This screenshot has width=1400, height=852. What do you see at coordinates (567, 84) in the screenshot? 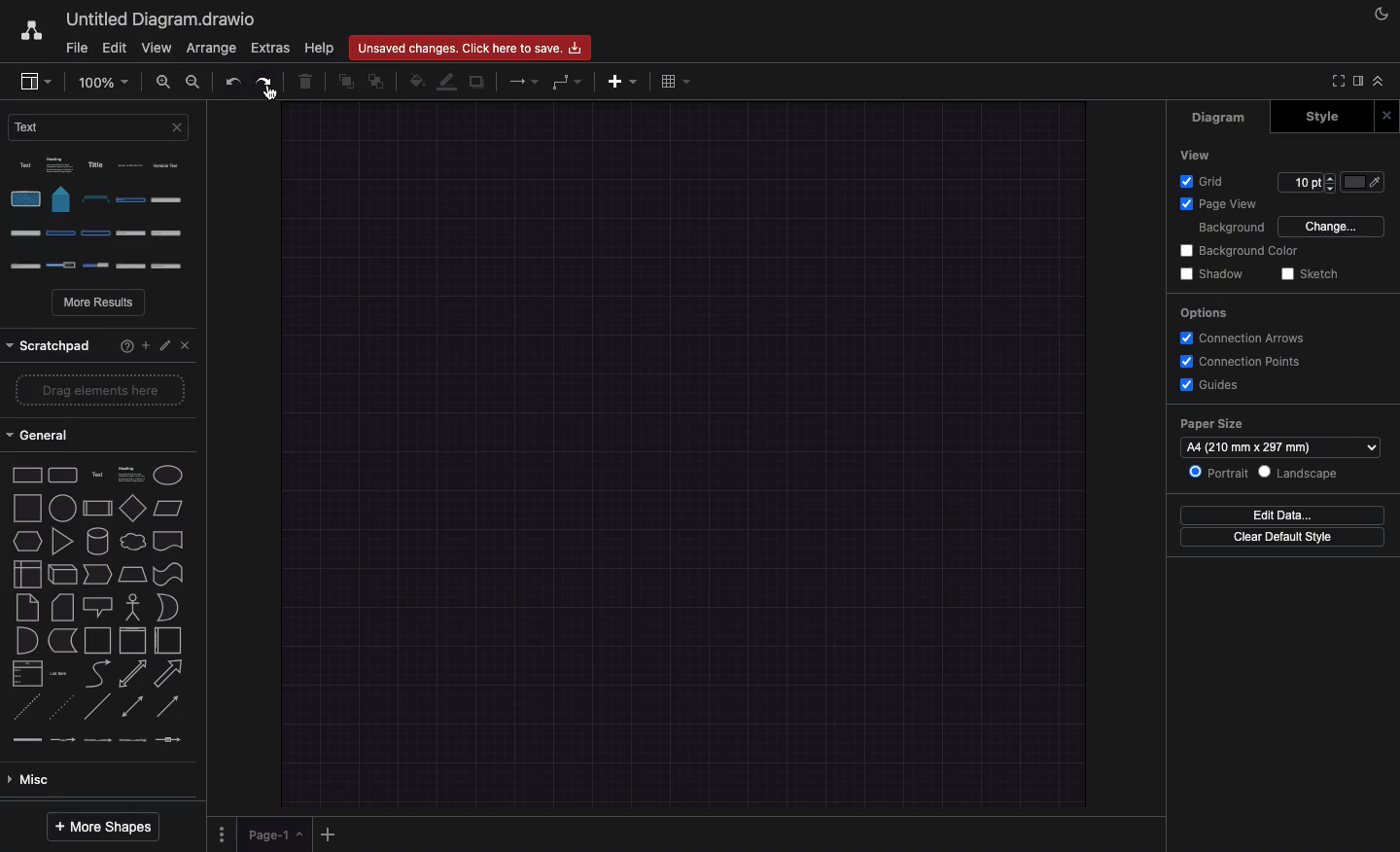
I see `Waypoints` at bounding box center [567, 84].